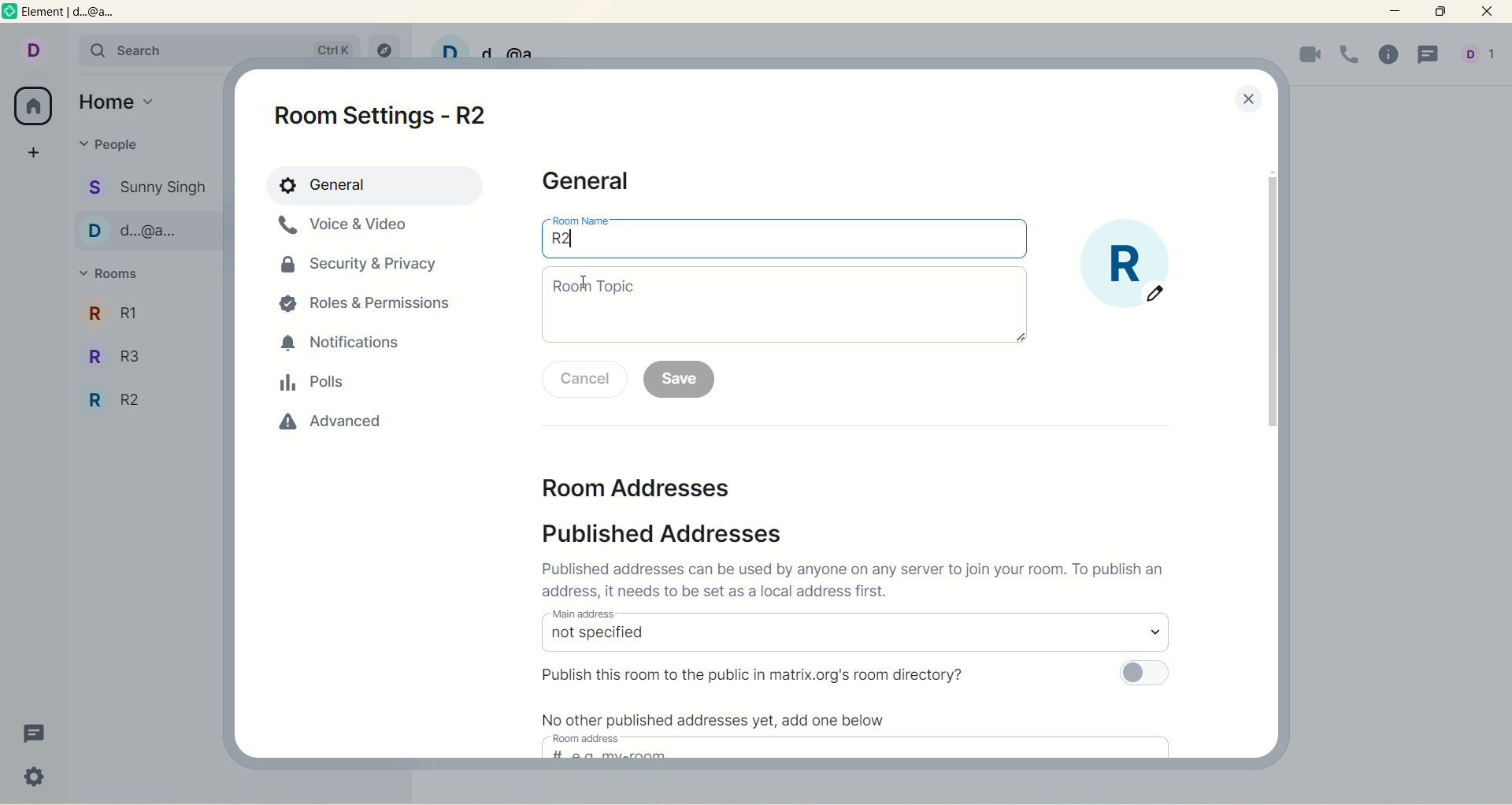 This screenshot has height=805, width=1512. I want to click on save, so click(680, 380).